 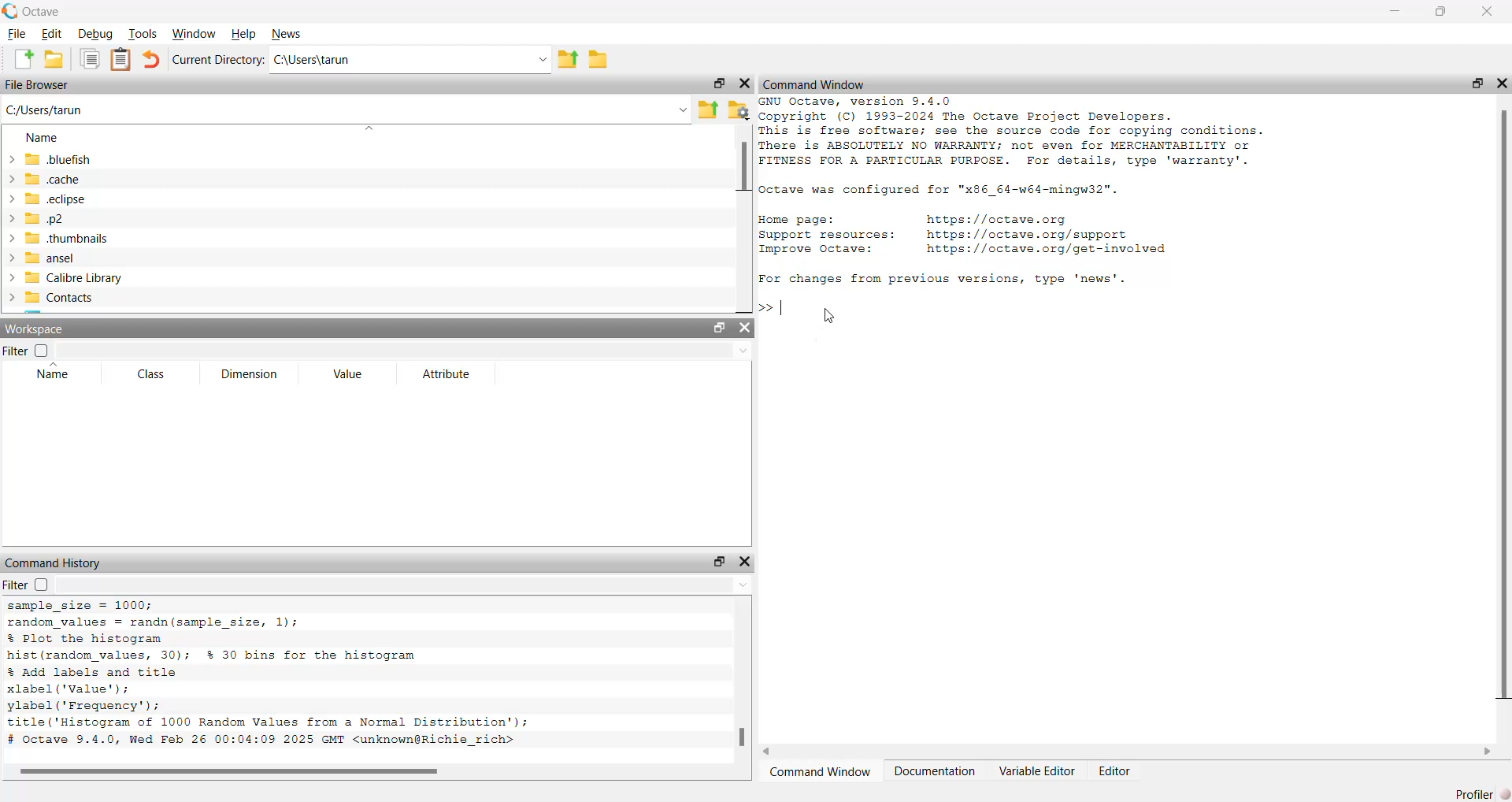 I want to click on Command History, so click(x=54, y=563).